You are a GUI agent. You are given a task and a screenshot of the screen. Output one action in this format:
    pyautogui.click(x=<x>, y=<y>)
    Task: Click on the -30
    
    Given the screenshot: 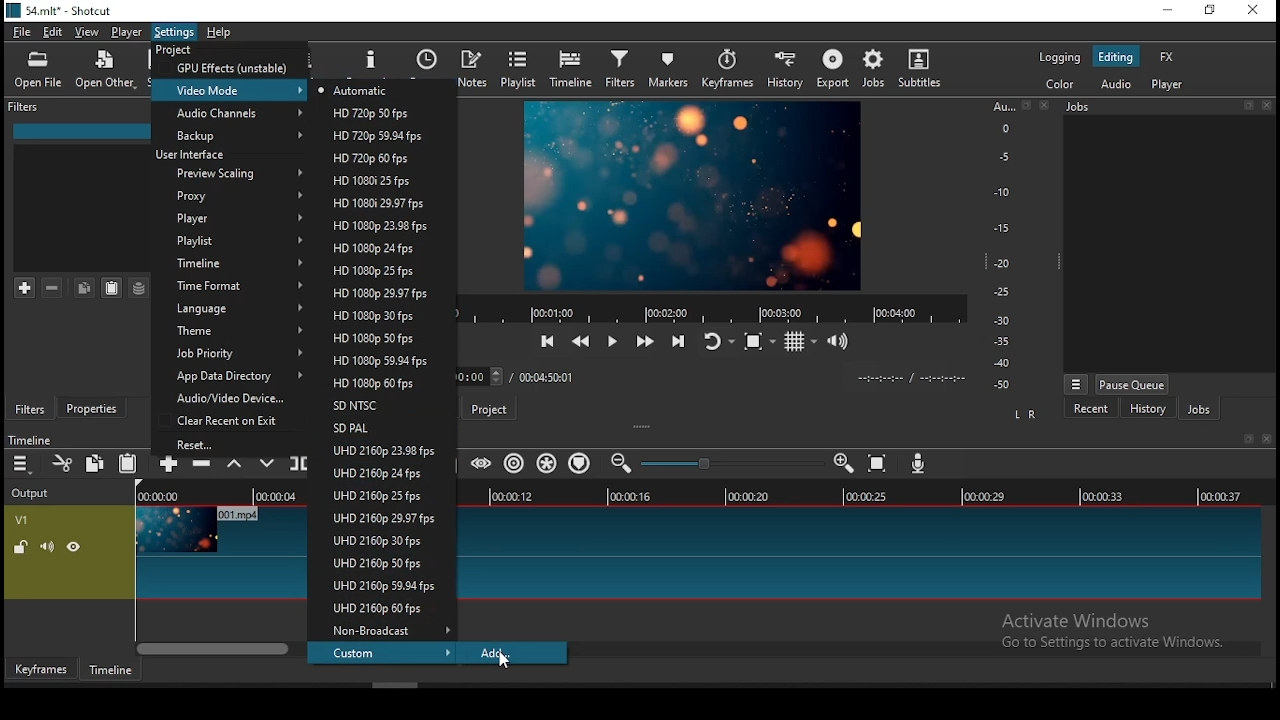 What is the action you would take?
    pyautogui.click(x=1005, y=320)
    